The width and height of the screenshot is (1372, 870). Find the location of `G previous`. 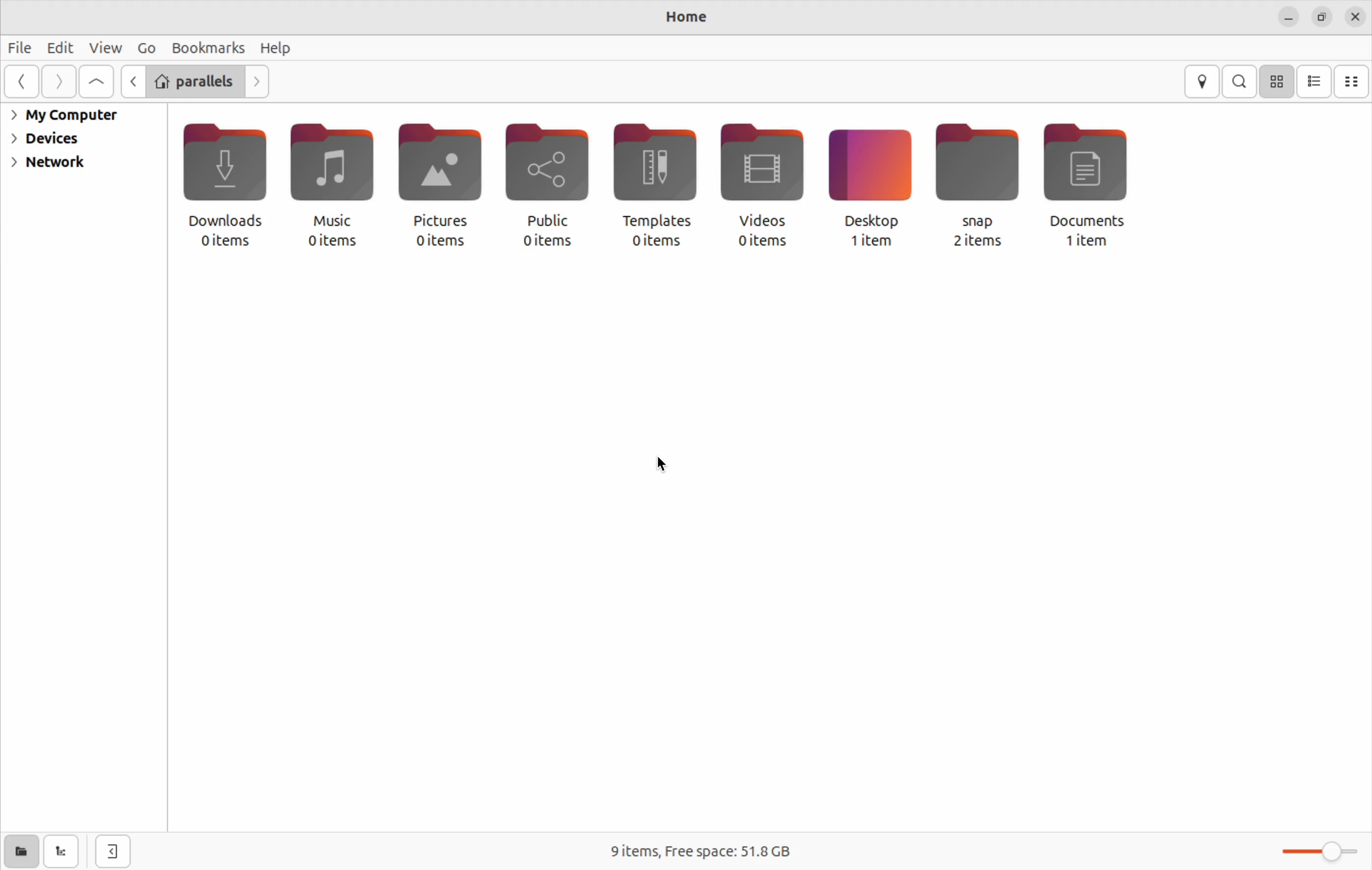

G previous is located at coordinates (129, 83).